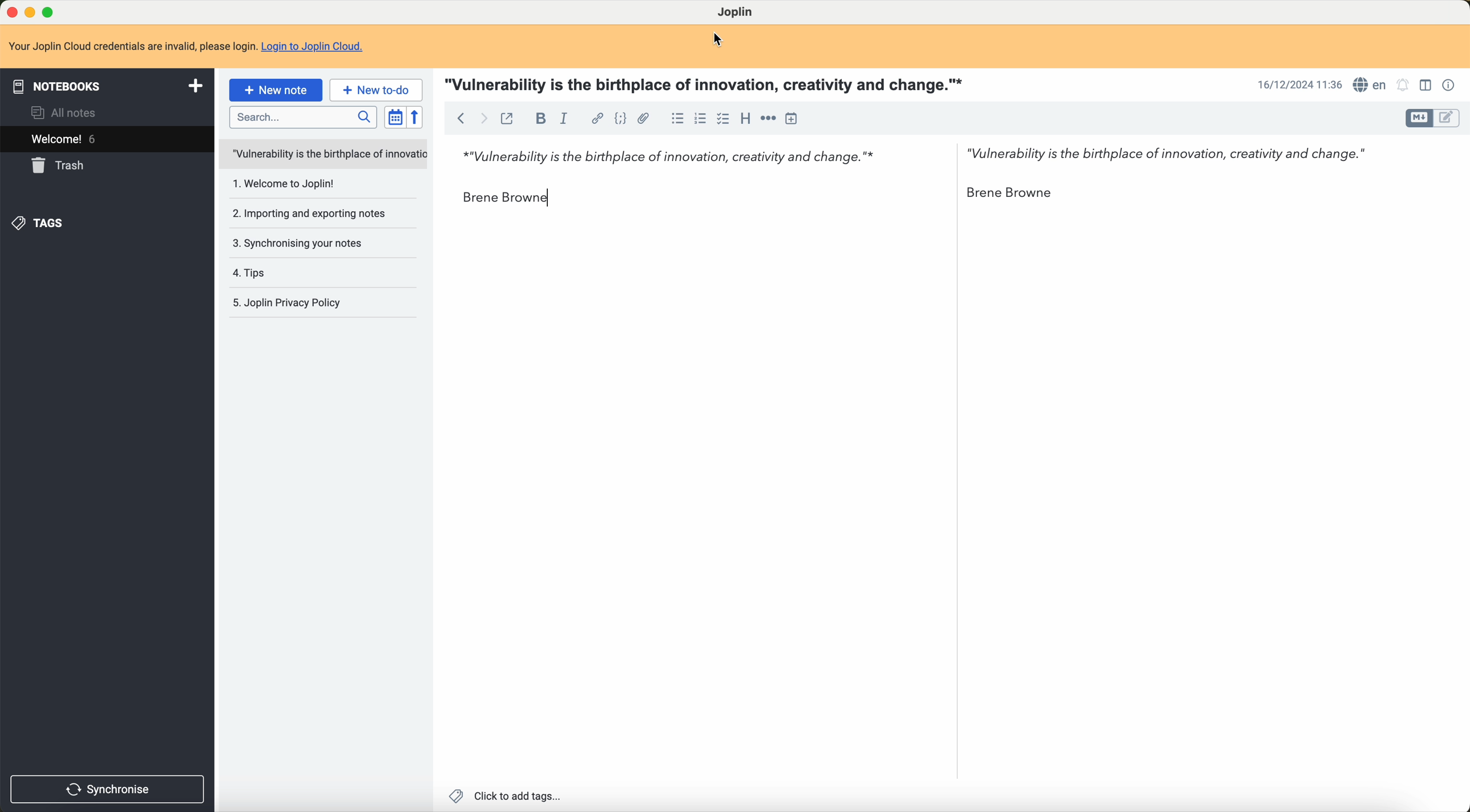  I want to click on reverse sort order, so click(416, 117).